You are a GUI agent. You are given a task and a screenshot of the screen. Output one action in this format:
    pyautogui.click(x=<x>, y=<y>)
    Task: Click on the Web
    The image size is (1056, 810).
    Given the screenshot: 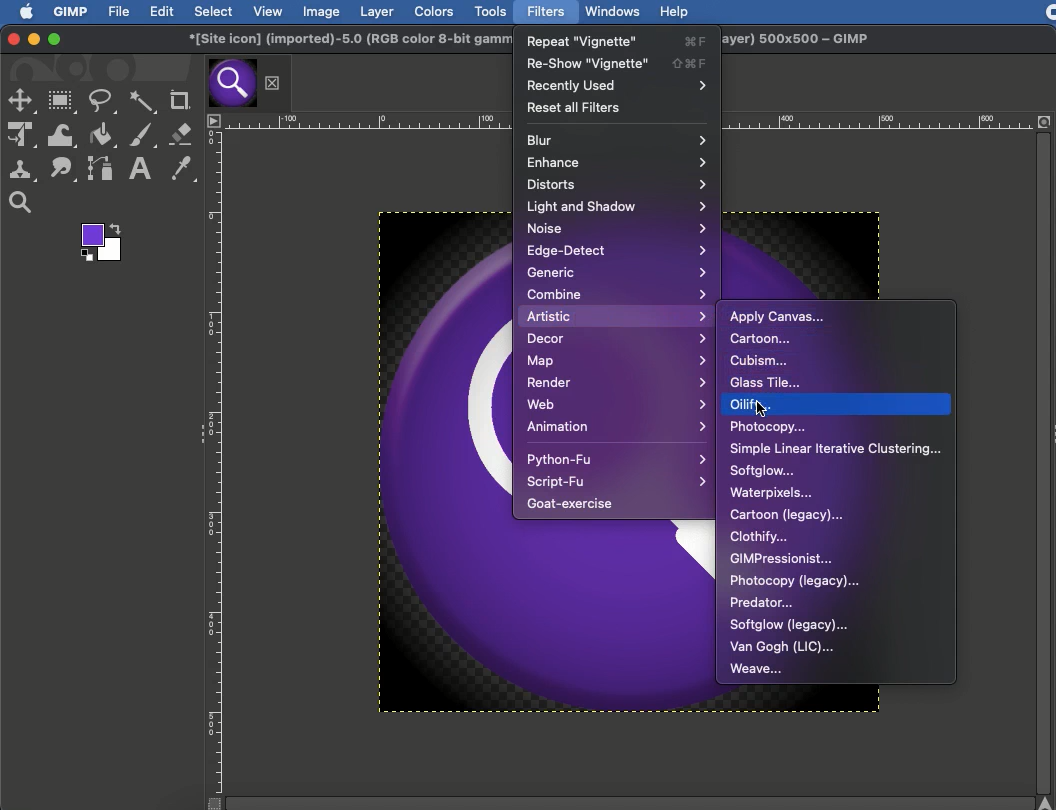 What is the action you would take?
    pyautogui.click(x=617, y=402)
    